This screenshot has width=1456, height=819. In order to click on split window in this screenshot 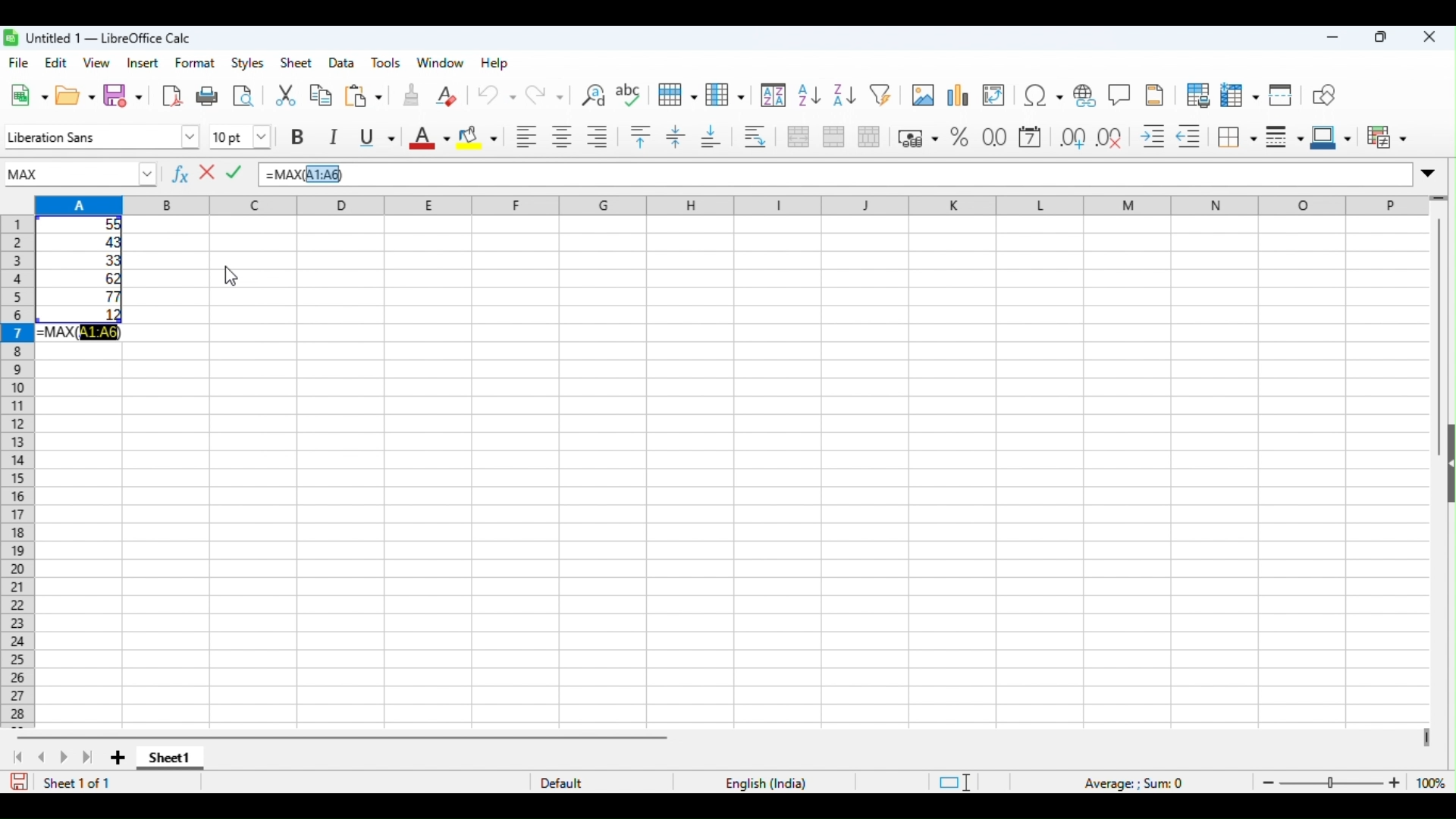, I will do `click(1284, 93)`.